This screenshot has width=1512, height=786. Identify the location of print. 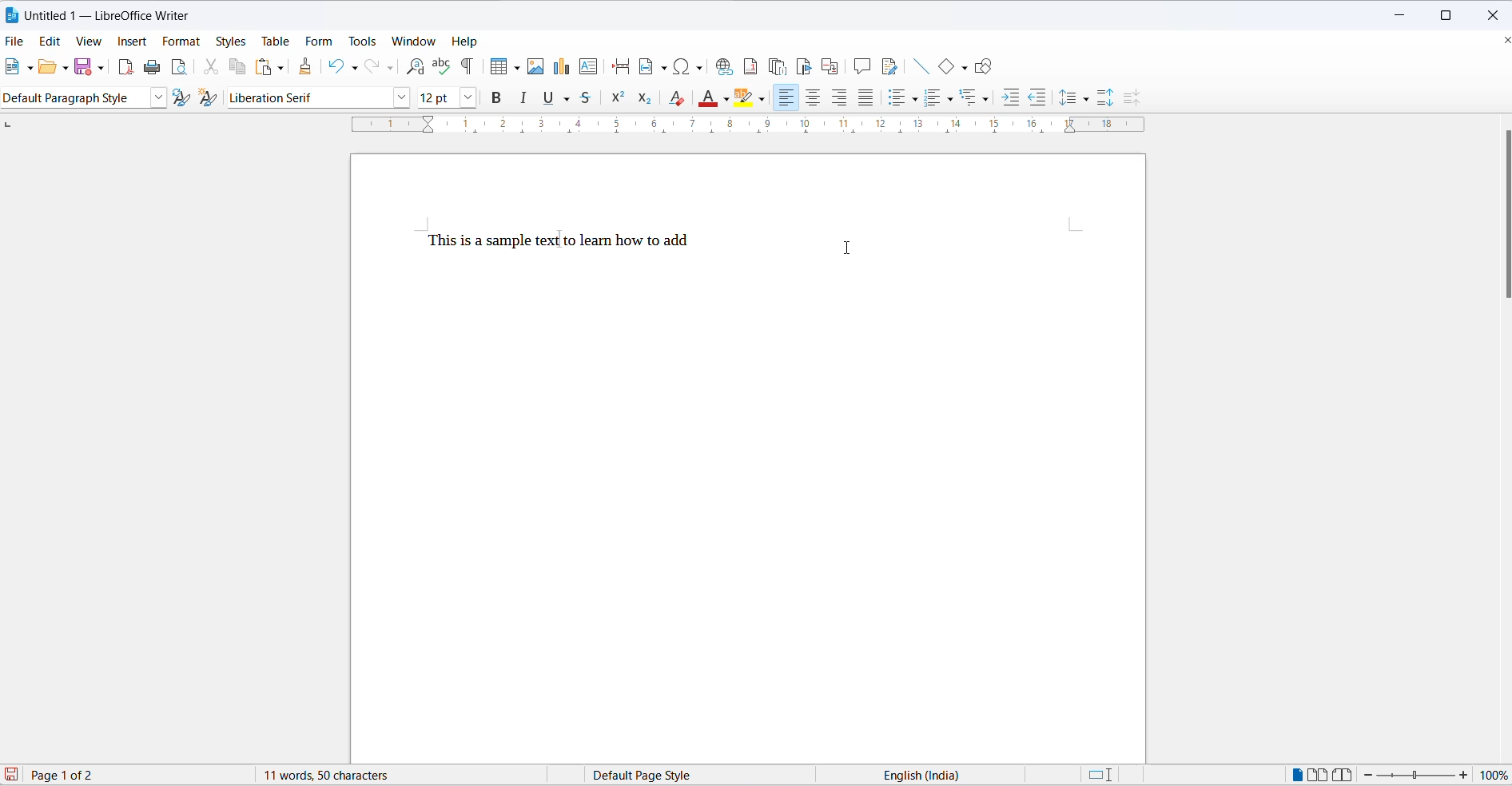
(154, 66).